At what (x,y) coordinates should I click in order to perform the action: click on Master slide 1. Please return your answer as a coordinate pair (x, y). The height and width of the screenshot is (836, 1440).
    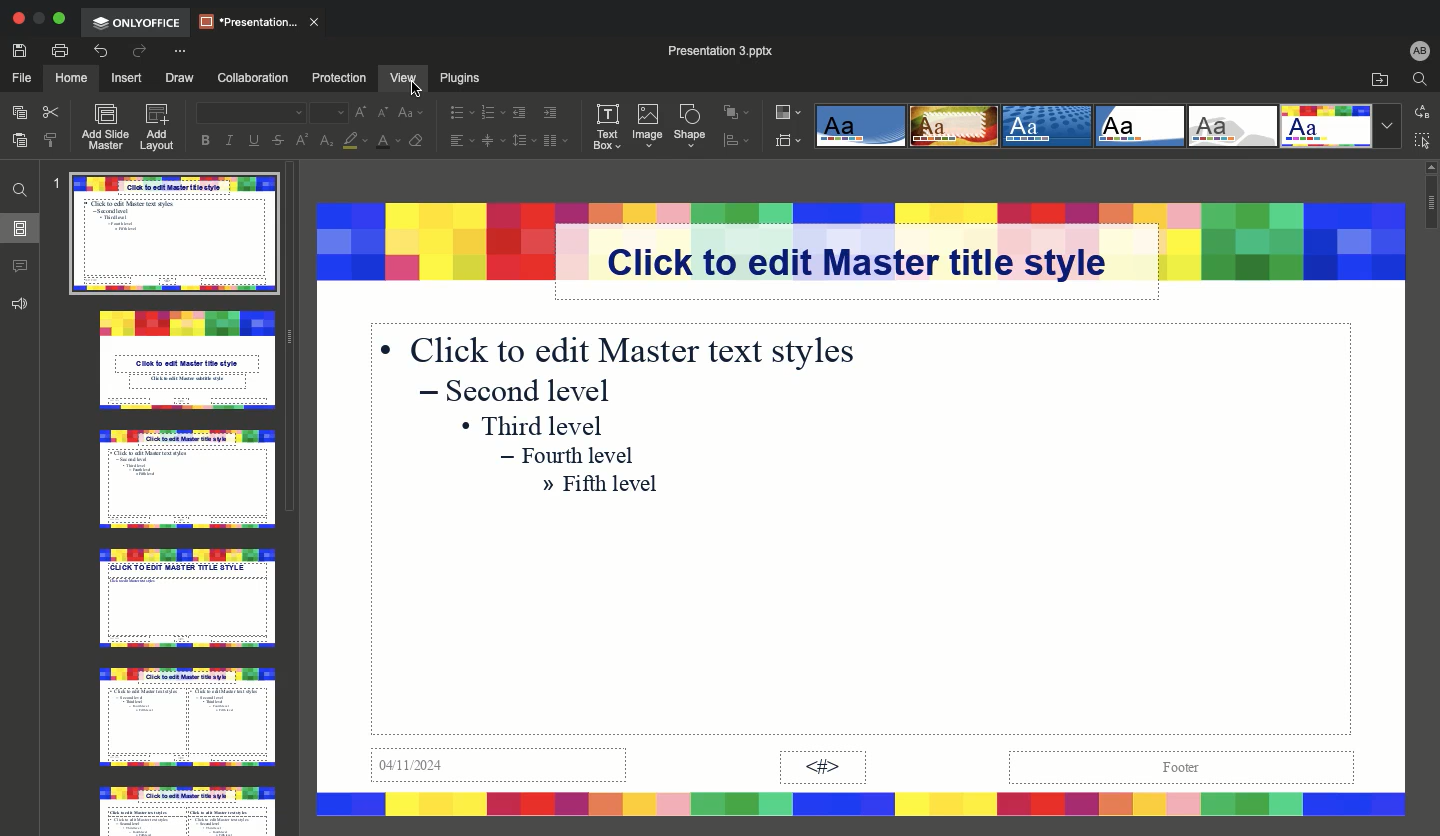
    Looking at the image, I should click on (175, 238).